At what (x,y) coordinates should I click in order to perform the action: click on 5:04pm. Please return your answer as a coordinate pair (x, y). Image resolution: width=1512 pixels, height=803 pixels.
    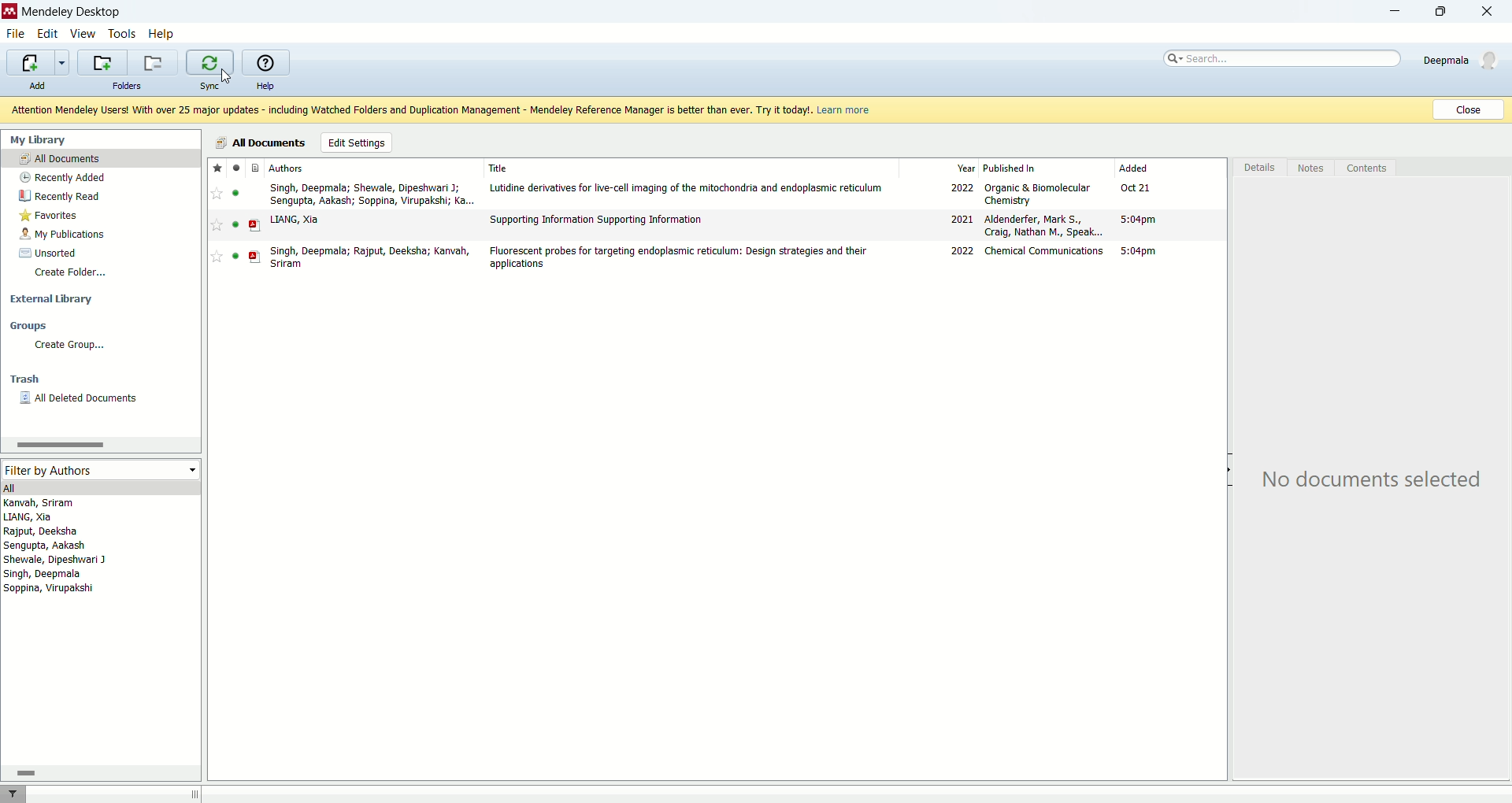
    Looking at the image, I should click on (1138, 251).